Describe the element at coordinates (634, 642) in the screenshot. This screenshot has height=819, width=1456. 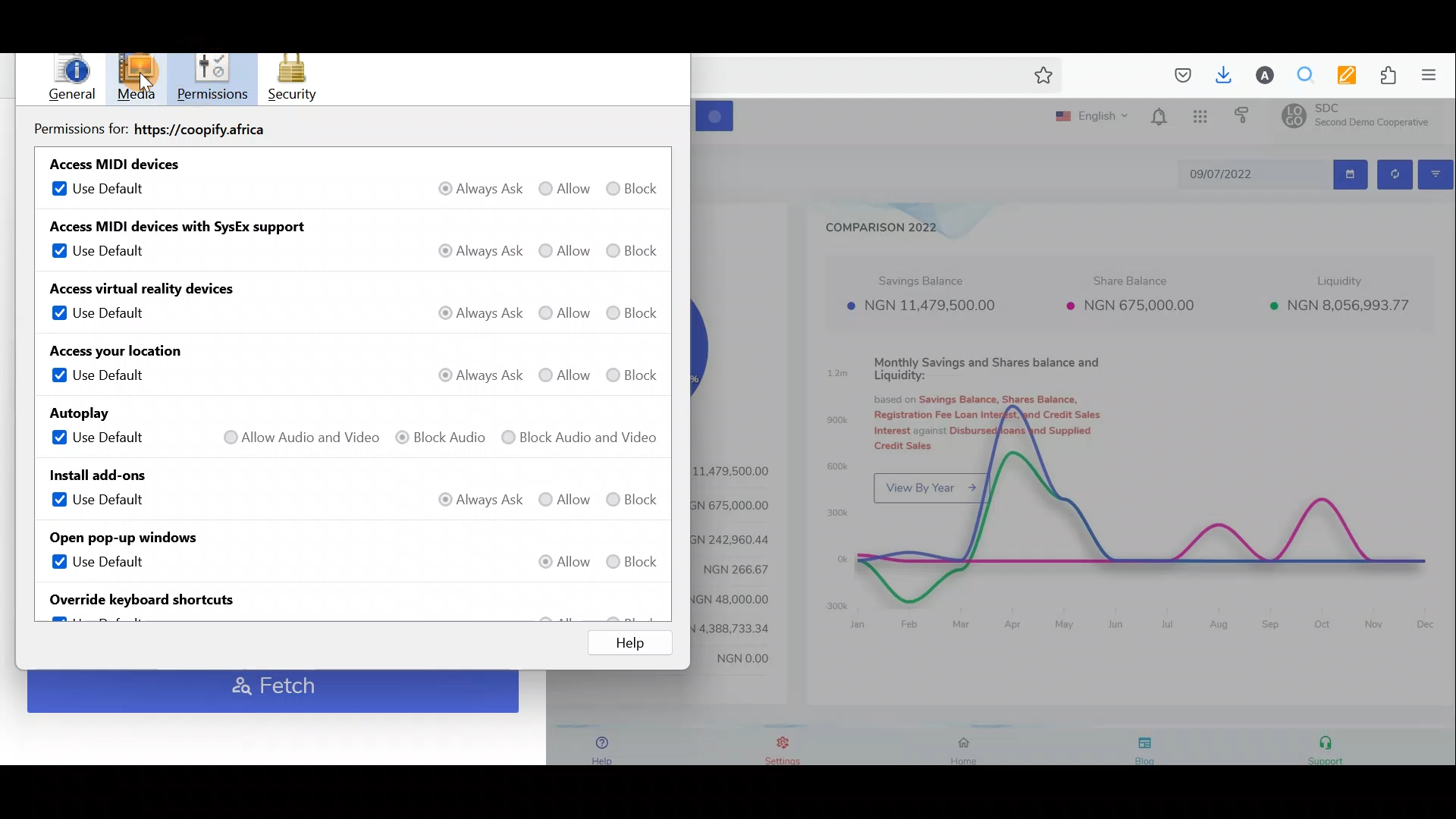
I see `Help` at that location.